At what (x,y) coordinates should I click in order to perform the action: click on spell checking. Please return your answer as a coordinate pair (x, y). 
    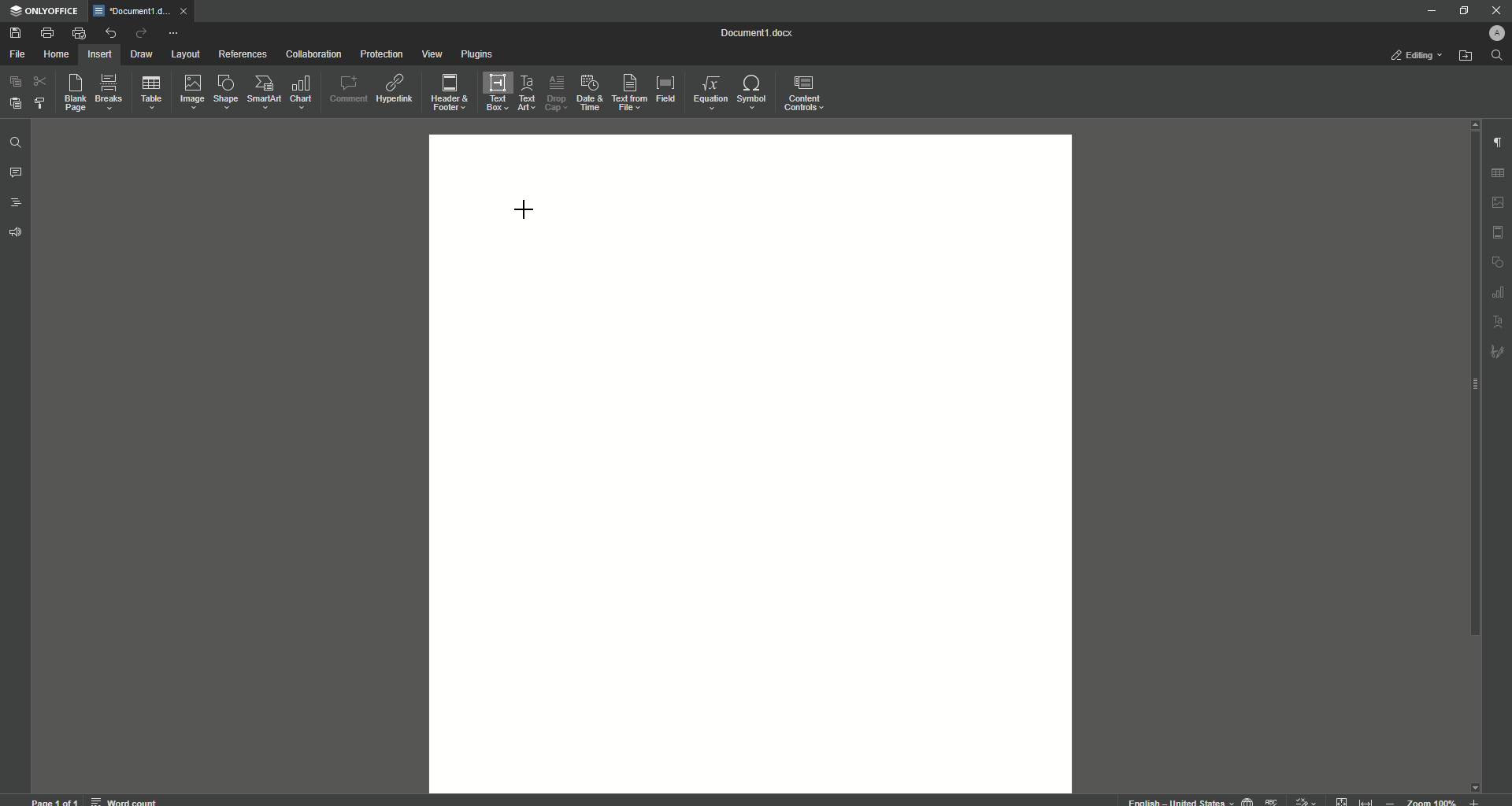
    Looking at the image, I should click on (1273, 800).